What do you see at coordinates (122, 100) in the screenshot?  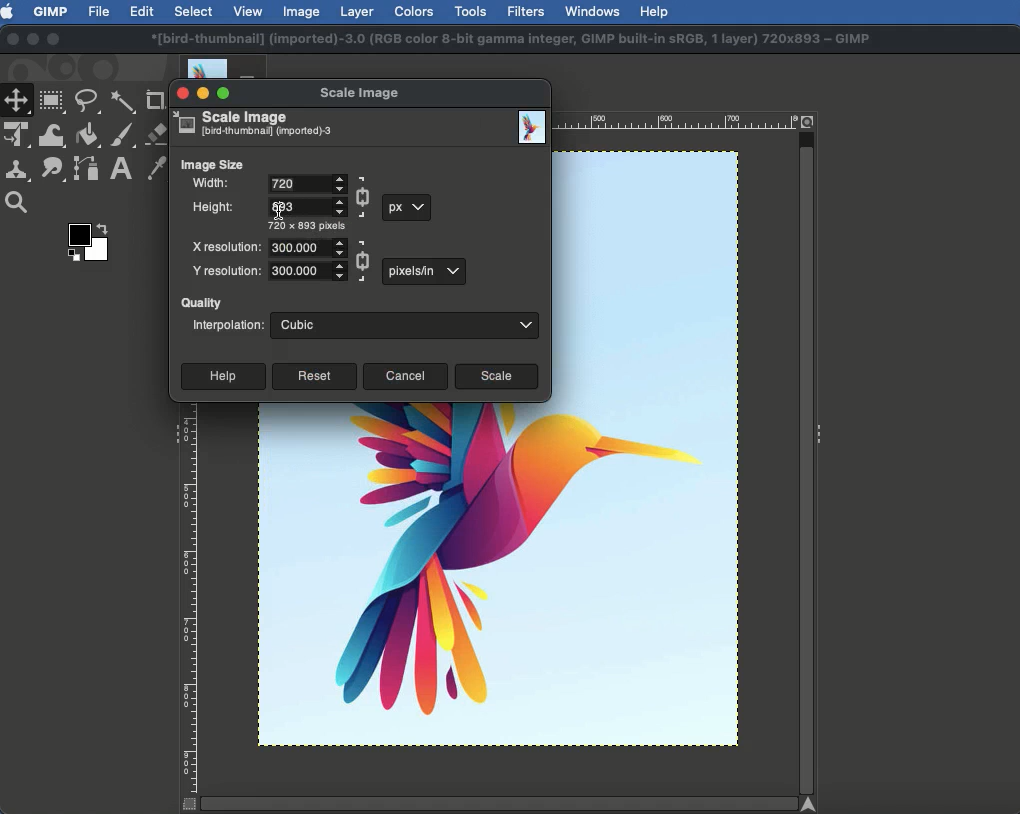 I see `Fuzzy selector` at bounding box center [122, 100].